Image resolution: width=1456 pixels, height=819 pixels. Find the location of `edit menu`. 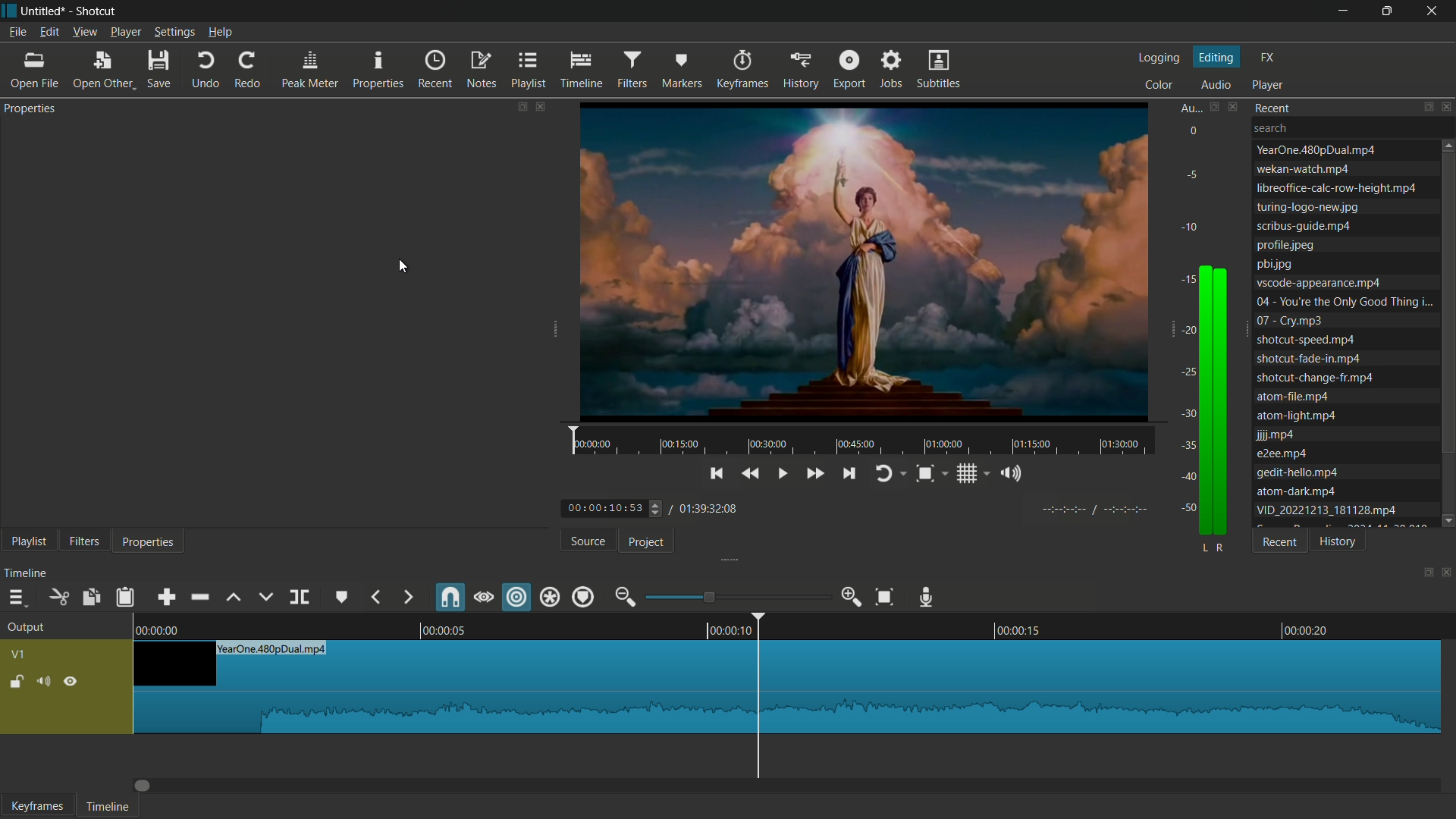

edit menu is located at coordinates (49, 32).